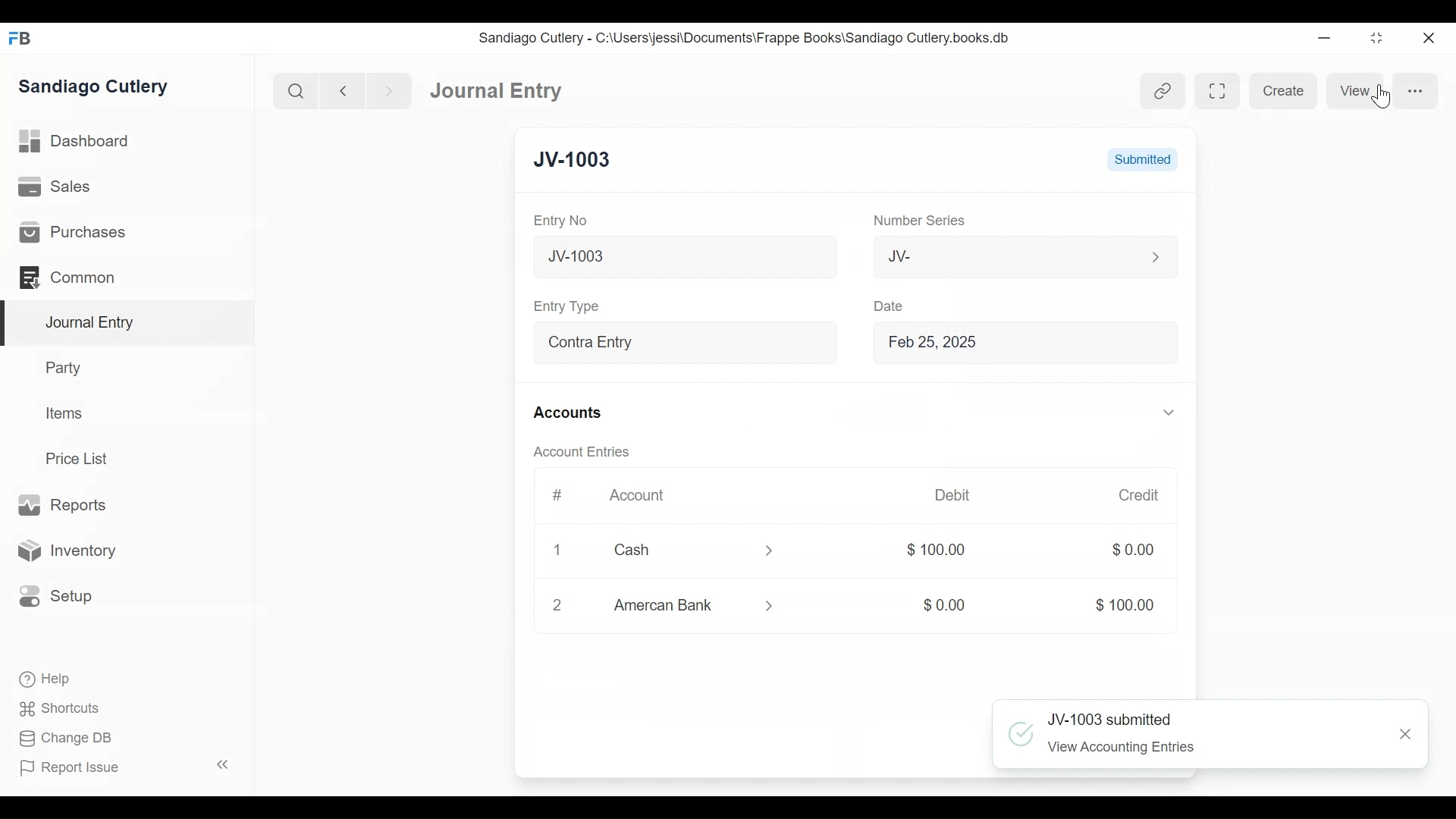 The height and width of the screenshot is (819, 1456). I want to click on Party, so click(61, 368).